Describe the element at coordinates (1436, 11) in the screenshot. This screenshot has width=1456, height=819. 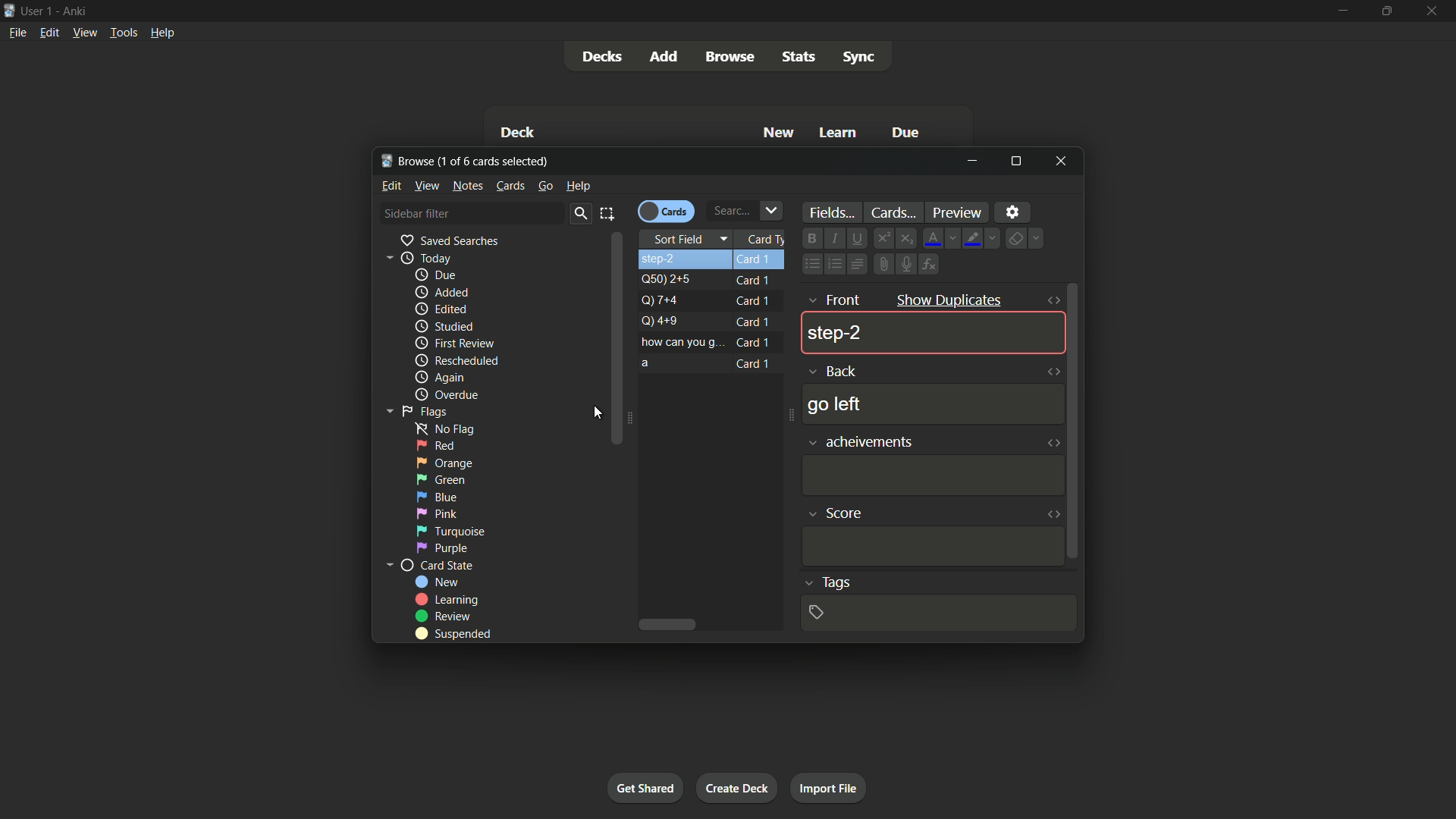
I see `Close app` at that location.